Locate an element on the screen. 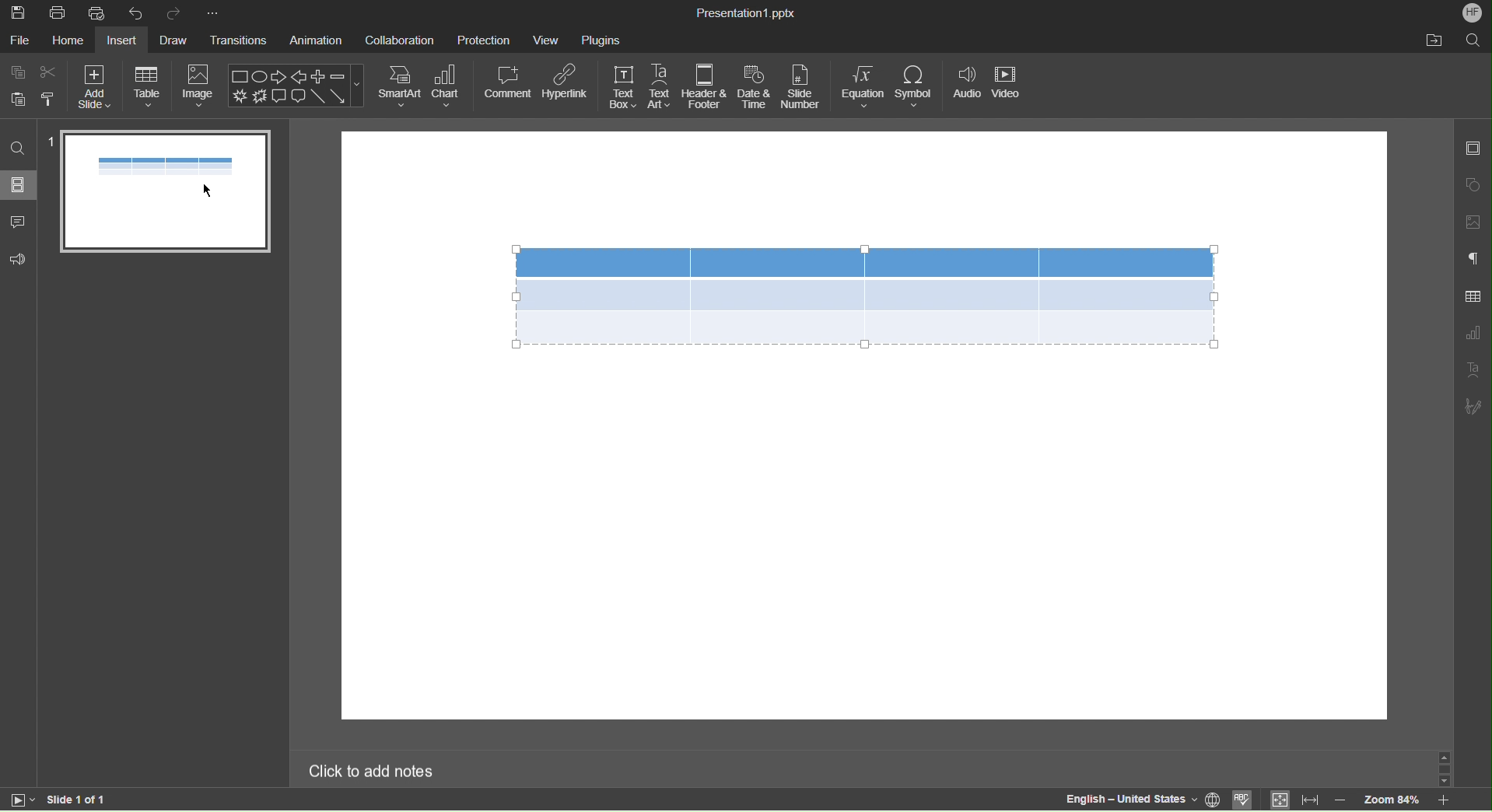 The image size is (1492, 812). Chart is located at coordinates (449, 86).